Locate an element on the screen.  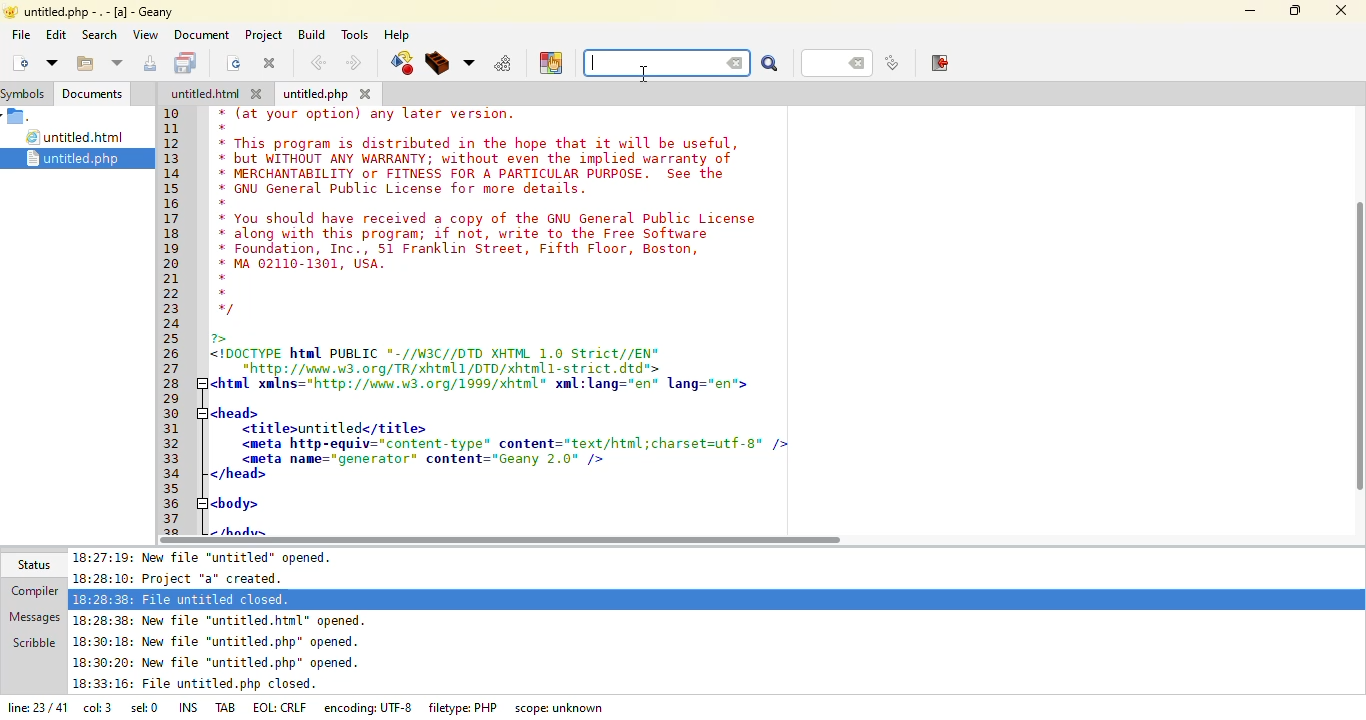
35 is located at coordinates (171, 487).